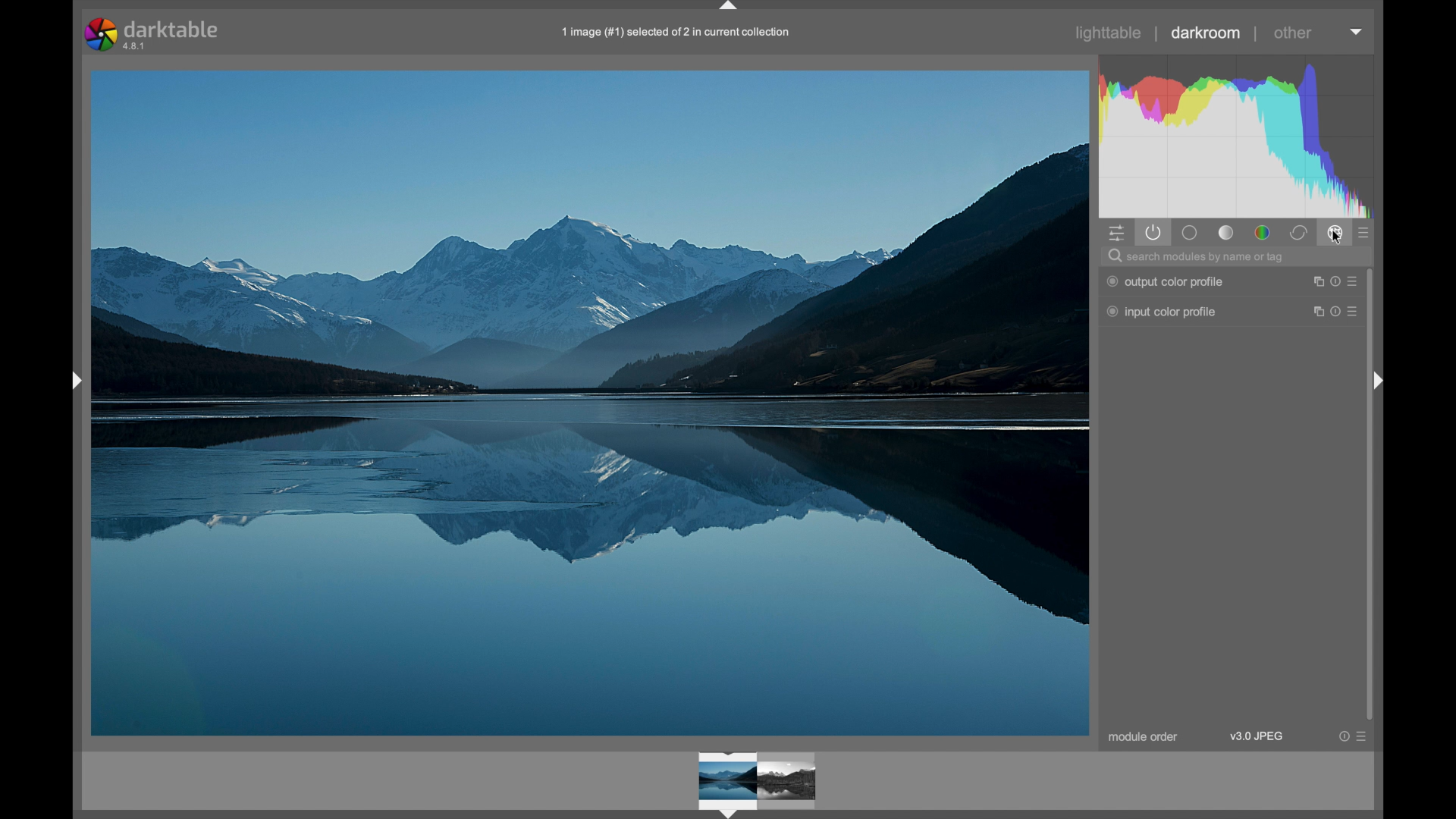  I want to click on more options, so click(1336, 312).